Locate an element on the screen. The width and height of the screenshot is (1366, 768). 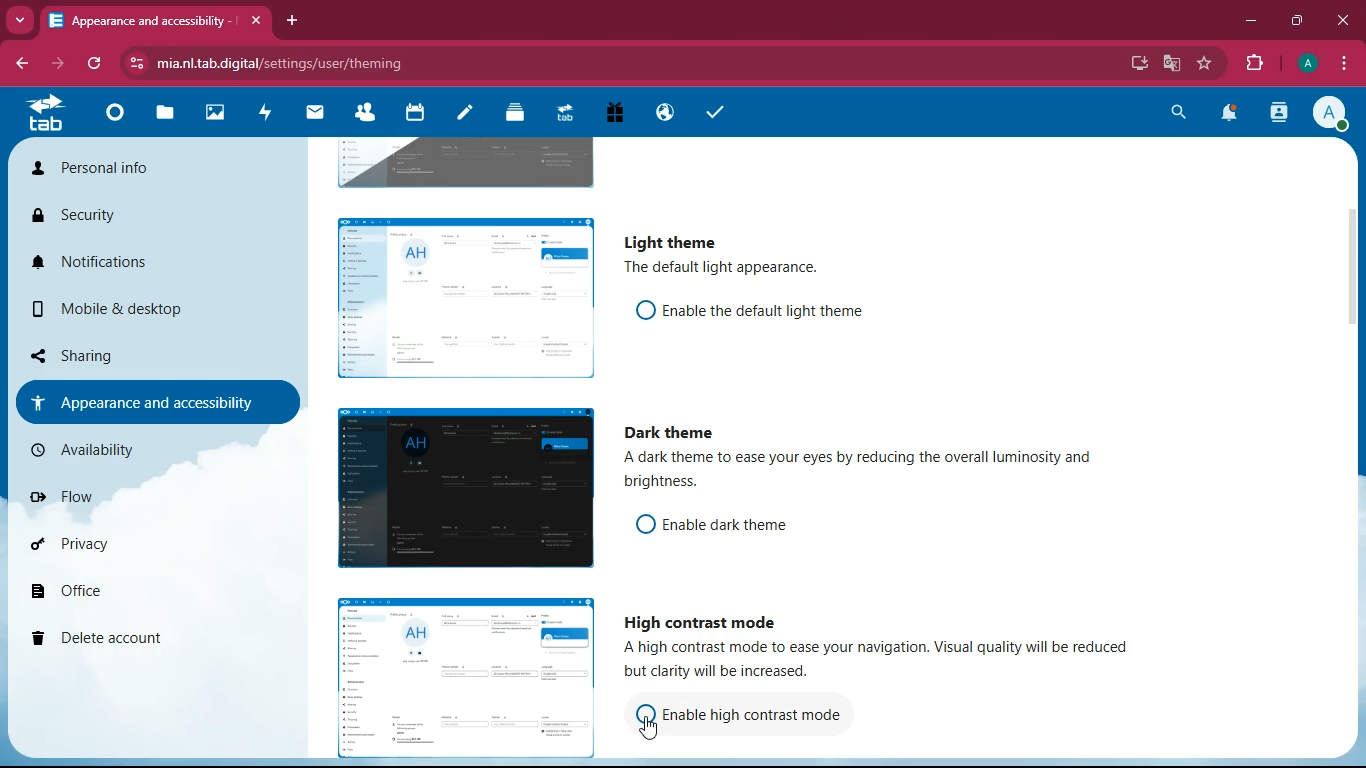
enable is located at coordinates (765, 309).